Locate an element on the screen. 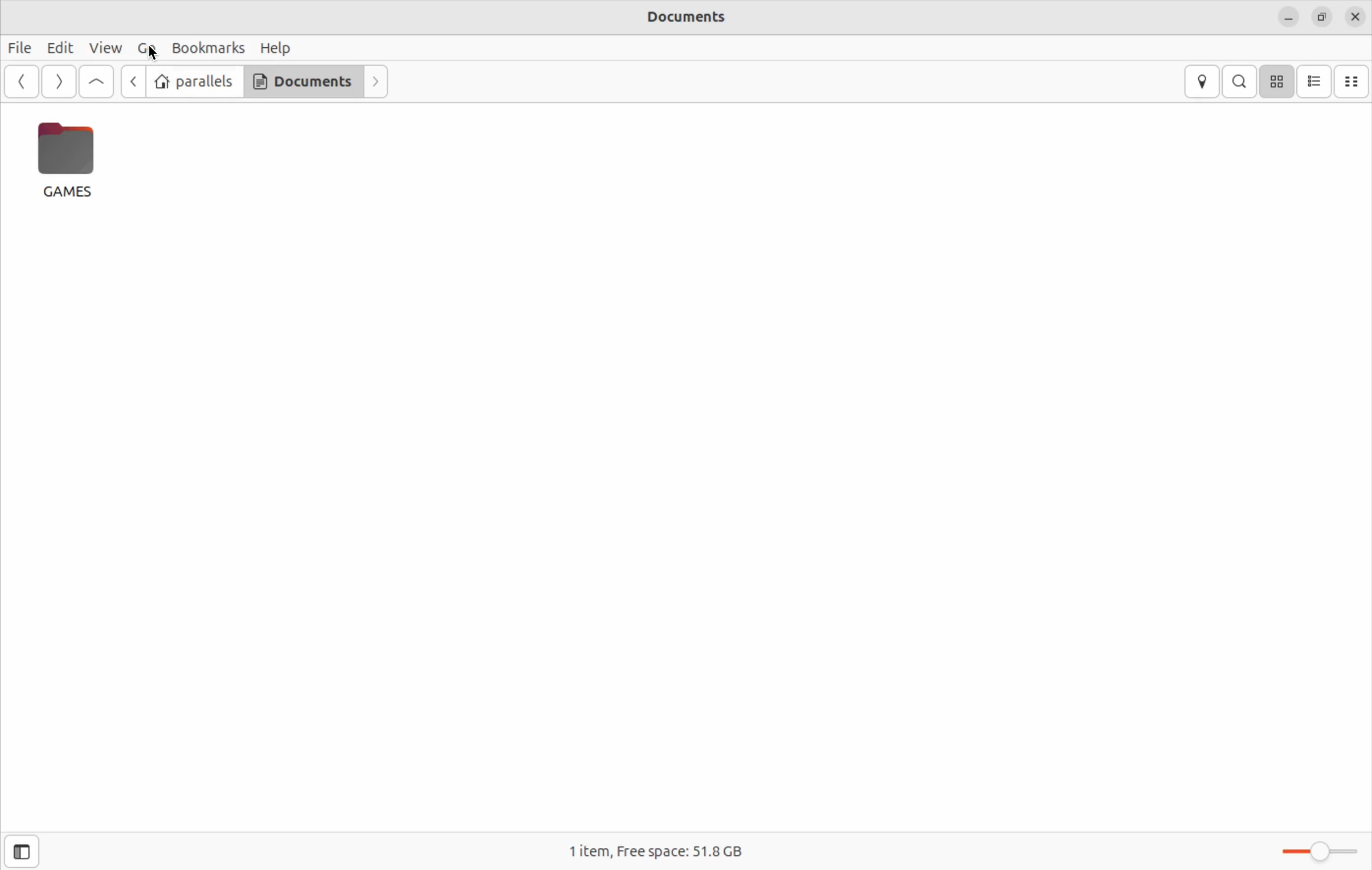 Image resolution: width=1372 pixels, height=870 pixels. games file is located at coordinates (70, 160).